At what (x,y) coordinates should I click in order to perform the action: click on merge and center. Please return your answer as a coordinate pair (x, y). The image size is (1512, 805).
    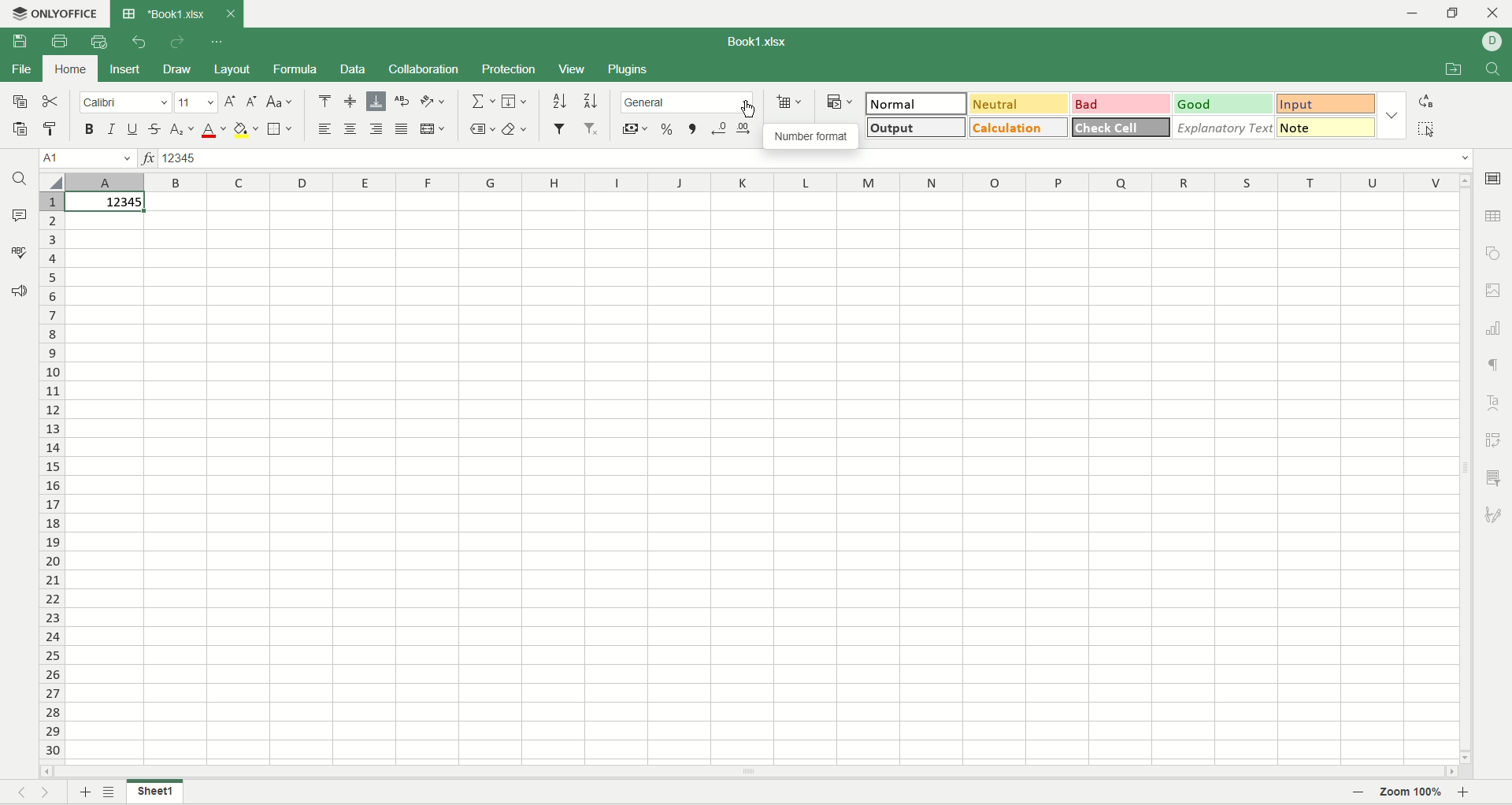
    Looking at the image, I should click on (432, 131).